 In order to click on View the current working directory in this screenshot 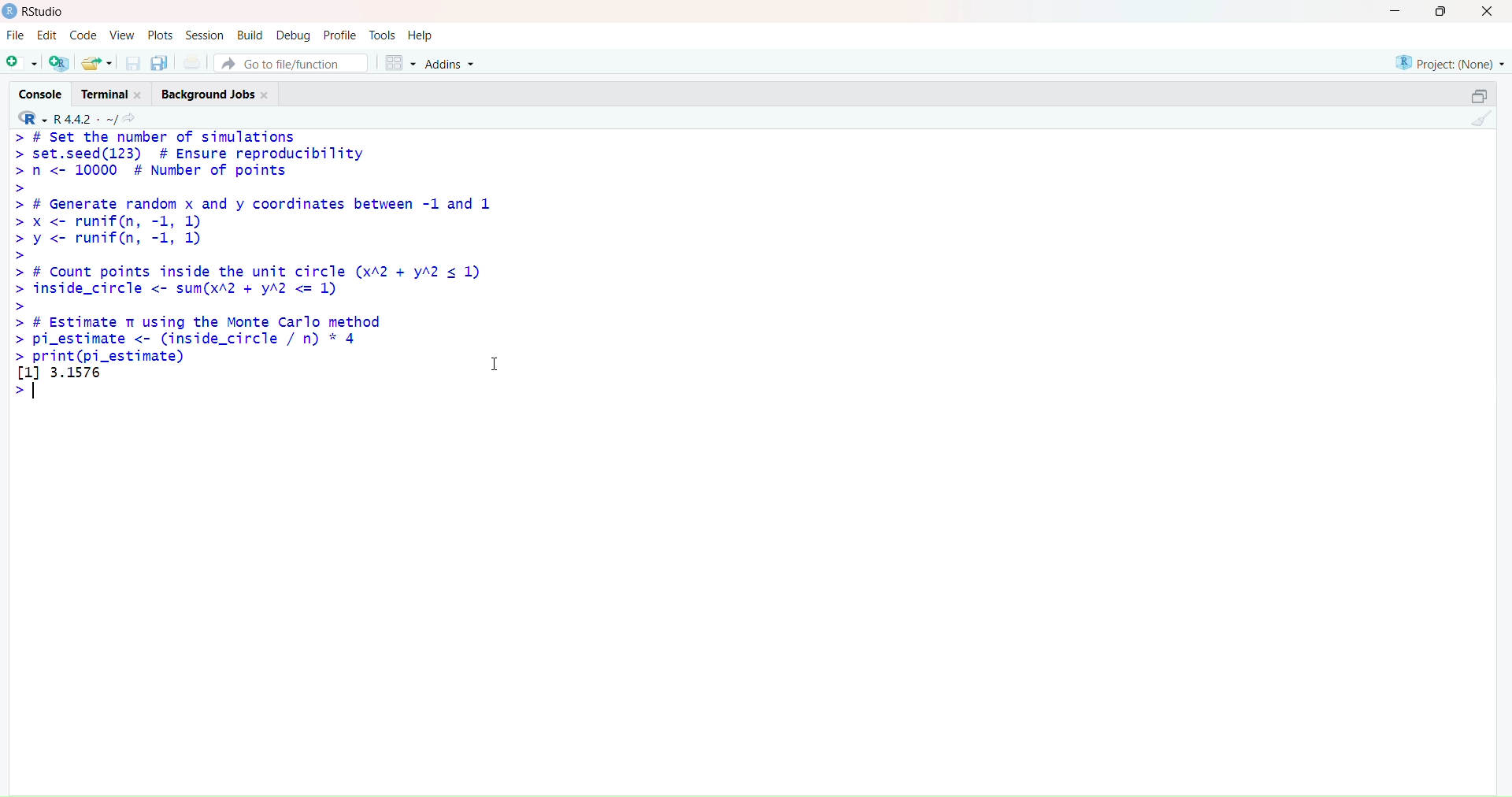, I will do `click(135, 117)`.